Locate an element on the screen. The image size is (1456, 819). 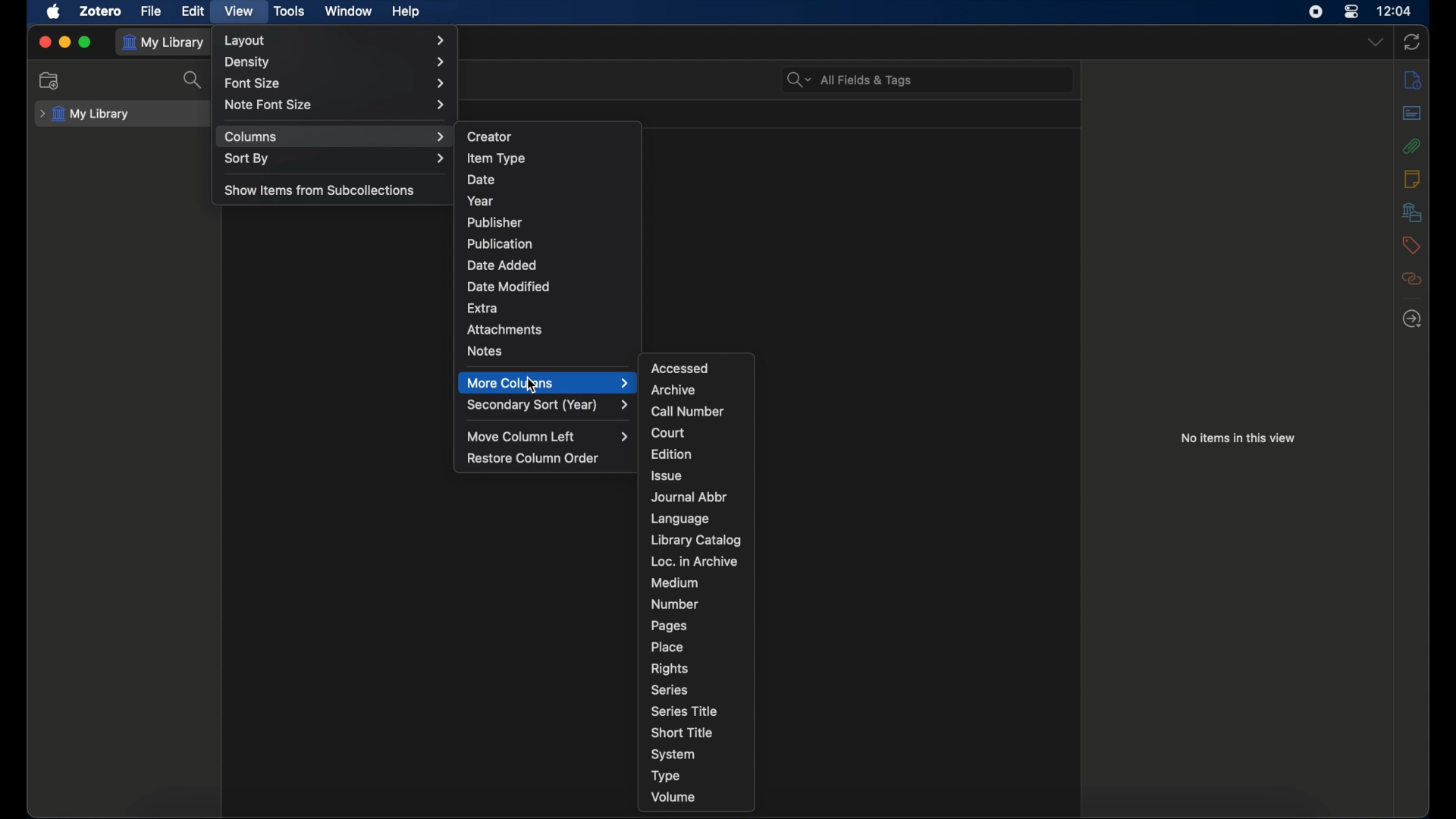
issue is located at coordinates (665, 475).